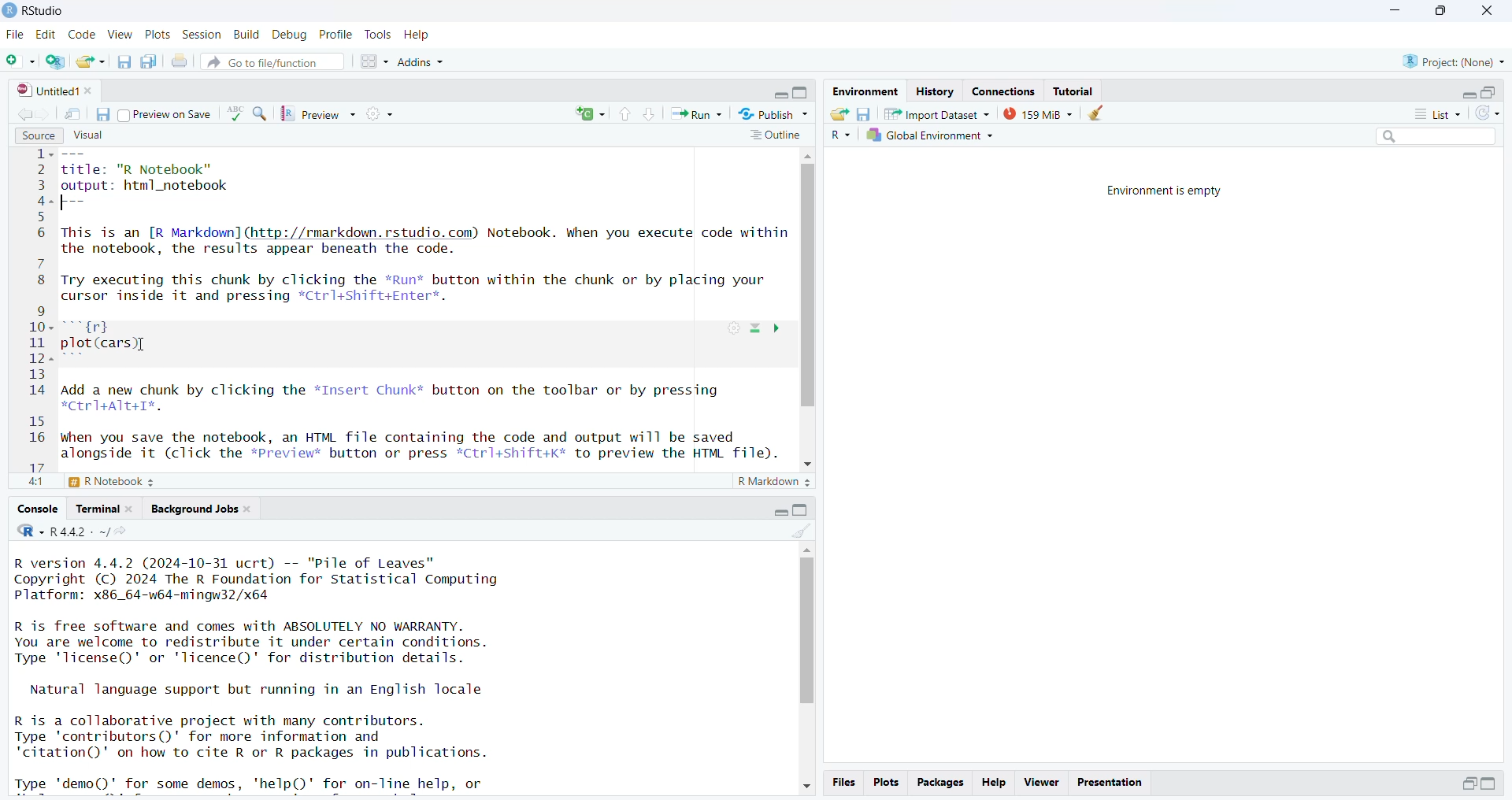  I want to click on expand, so click(778, 95).